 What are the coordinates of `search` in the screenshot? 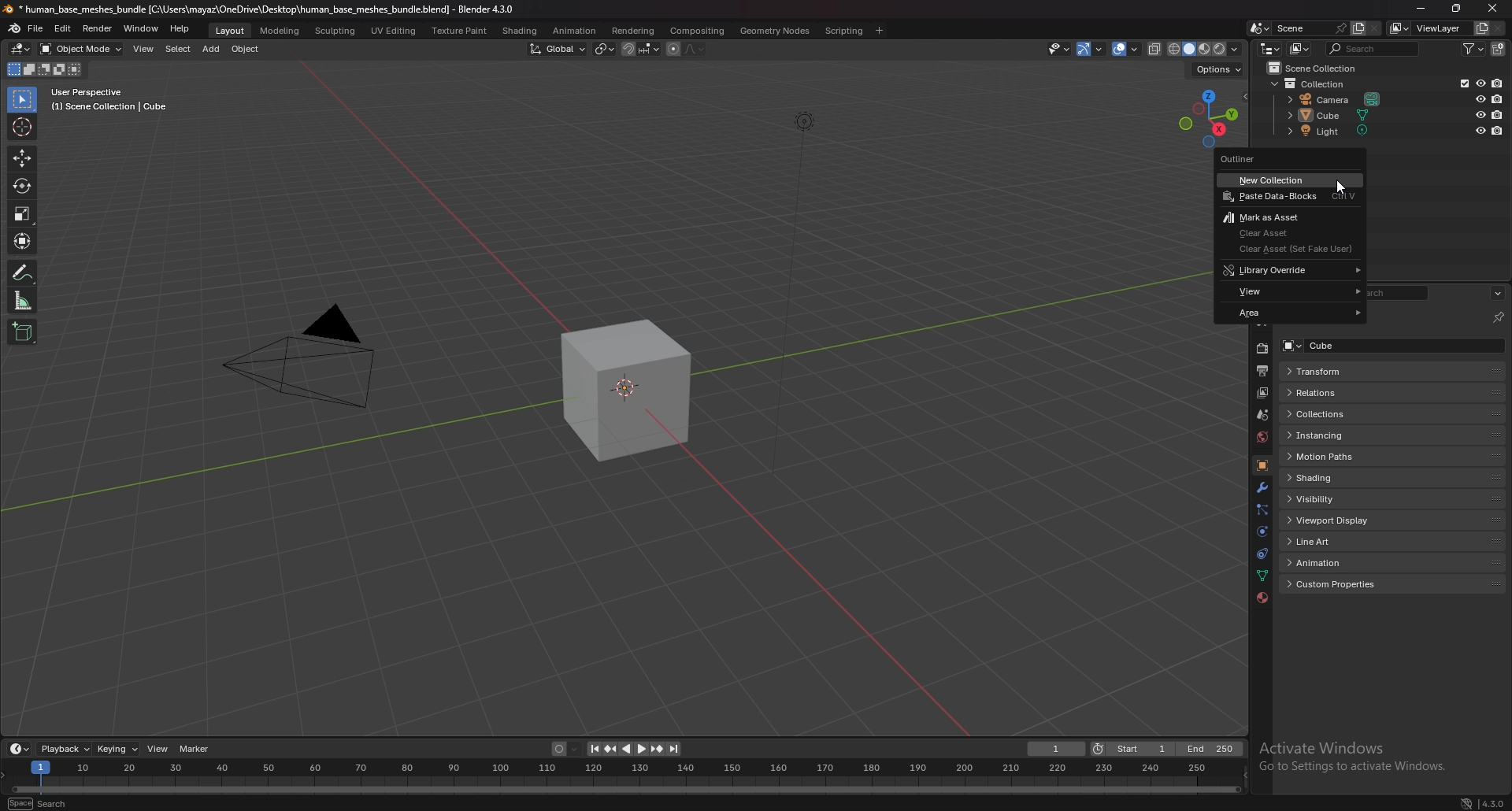 It's located at (1375, 48).